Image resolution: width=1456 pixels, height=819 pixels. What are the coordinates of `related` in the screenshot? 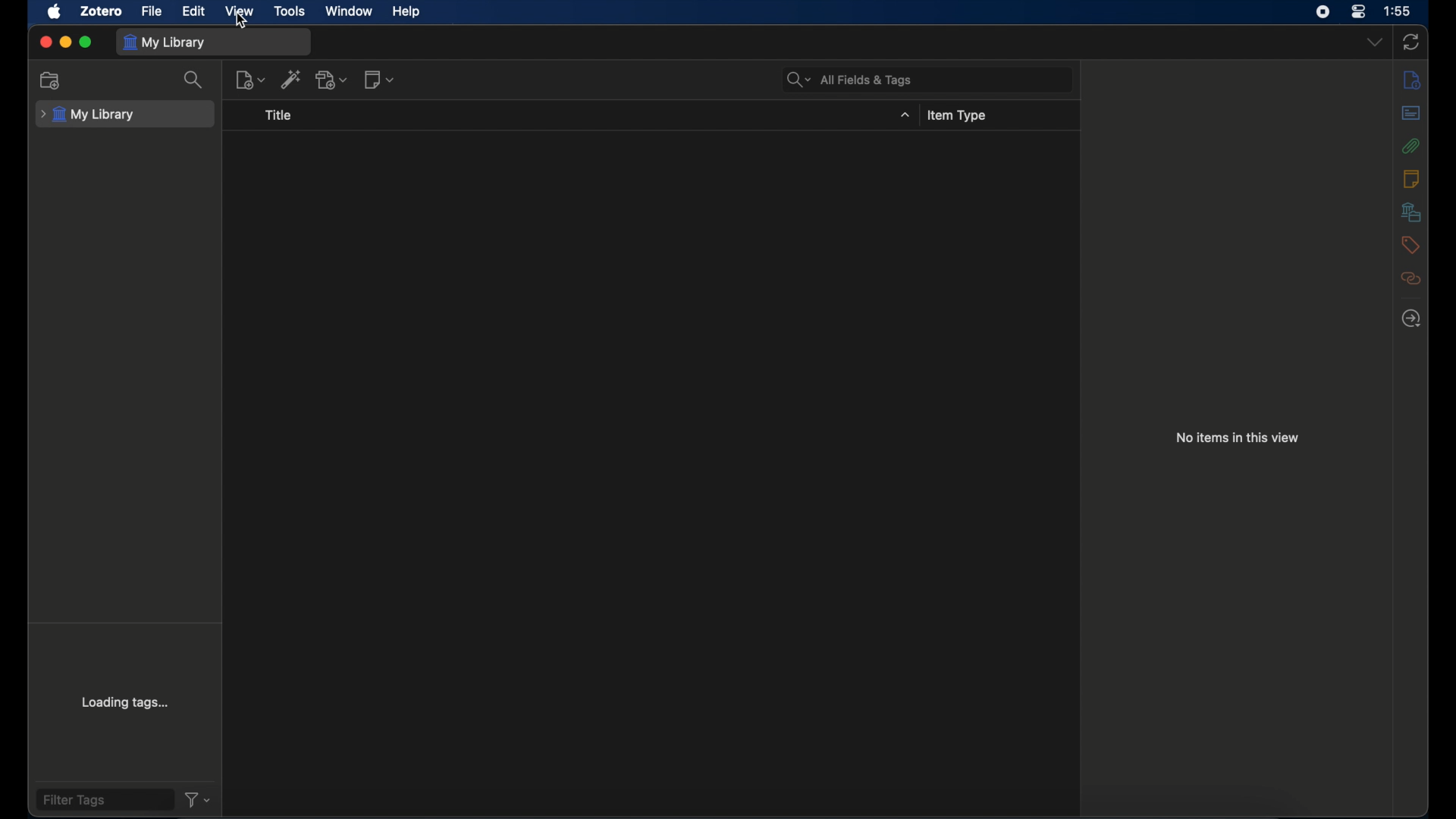 It's located at (1410, 278).